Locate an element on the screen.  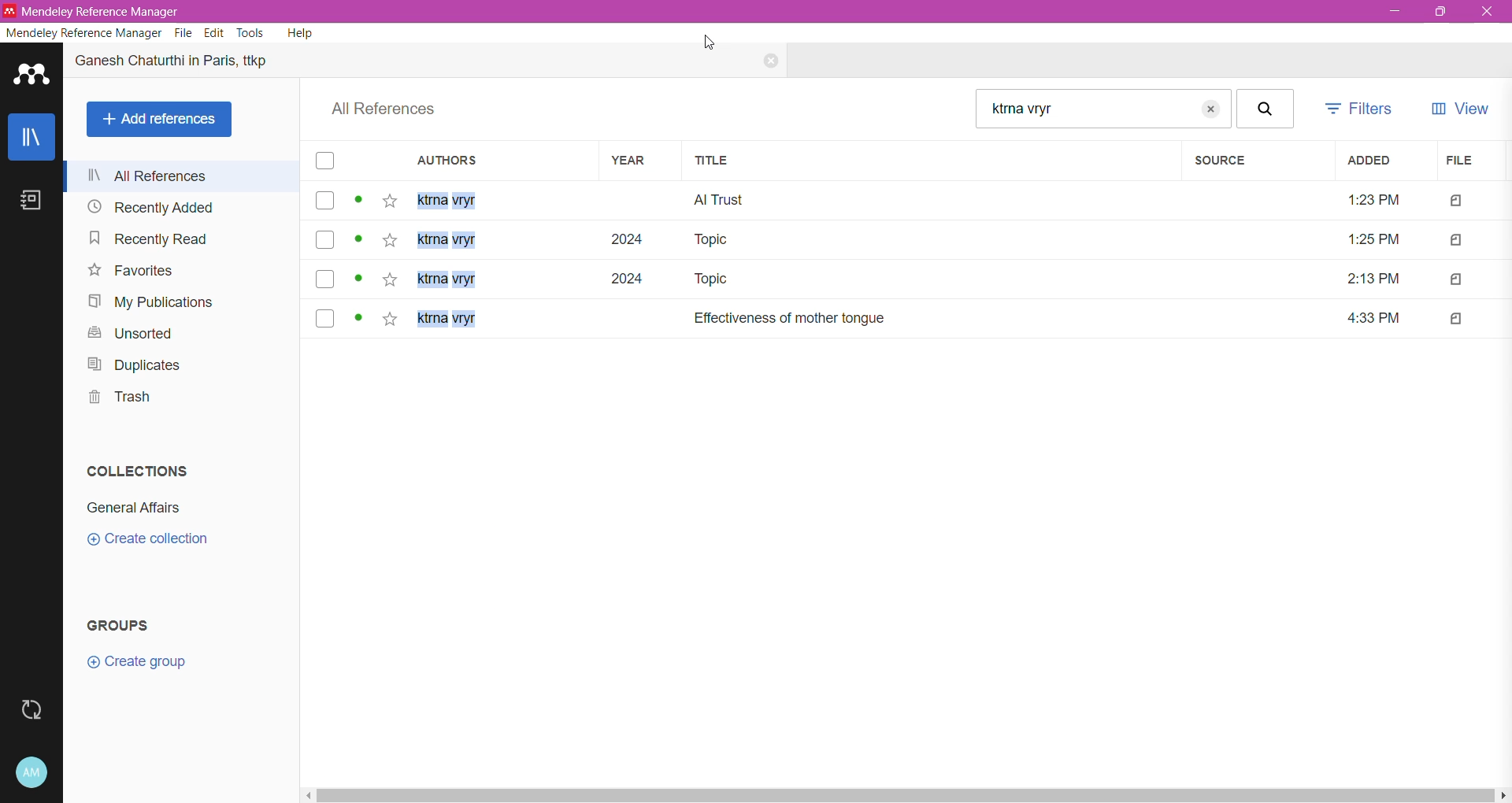
Year is located at coordinates (643, 161).